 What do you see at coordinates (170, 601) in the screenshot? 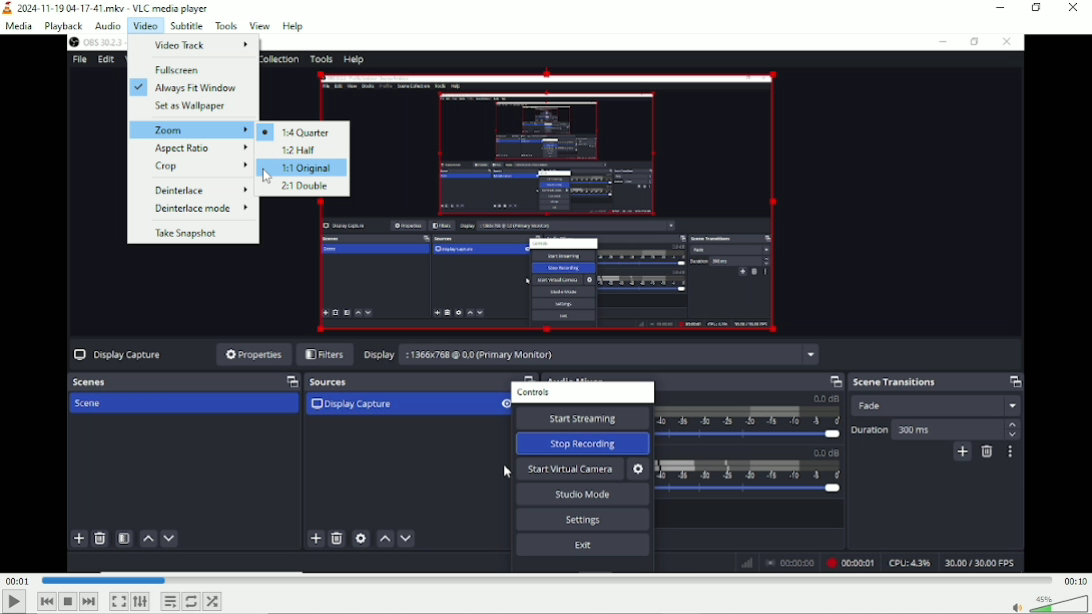
I see `Toggle playlist` at bounding box center [170, 601].